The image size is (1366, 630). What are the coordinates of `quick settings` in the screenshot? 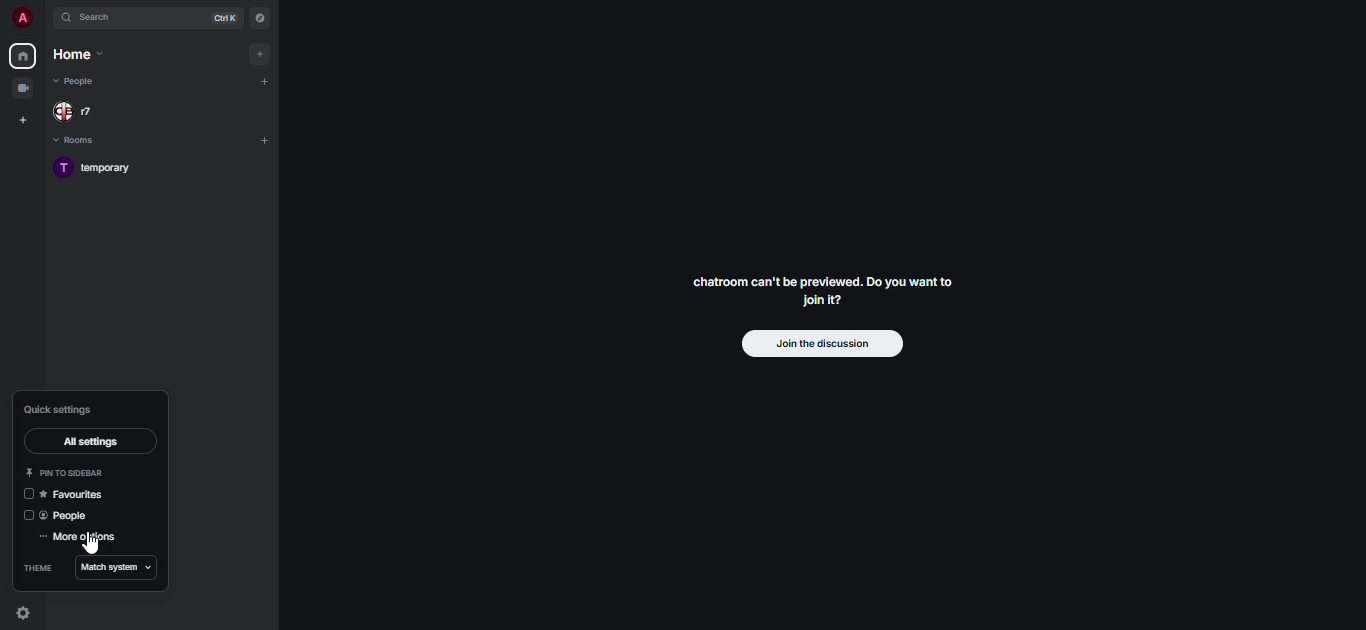 It's located at (29, 616).